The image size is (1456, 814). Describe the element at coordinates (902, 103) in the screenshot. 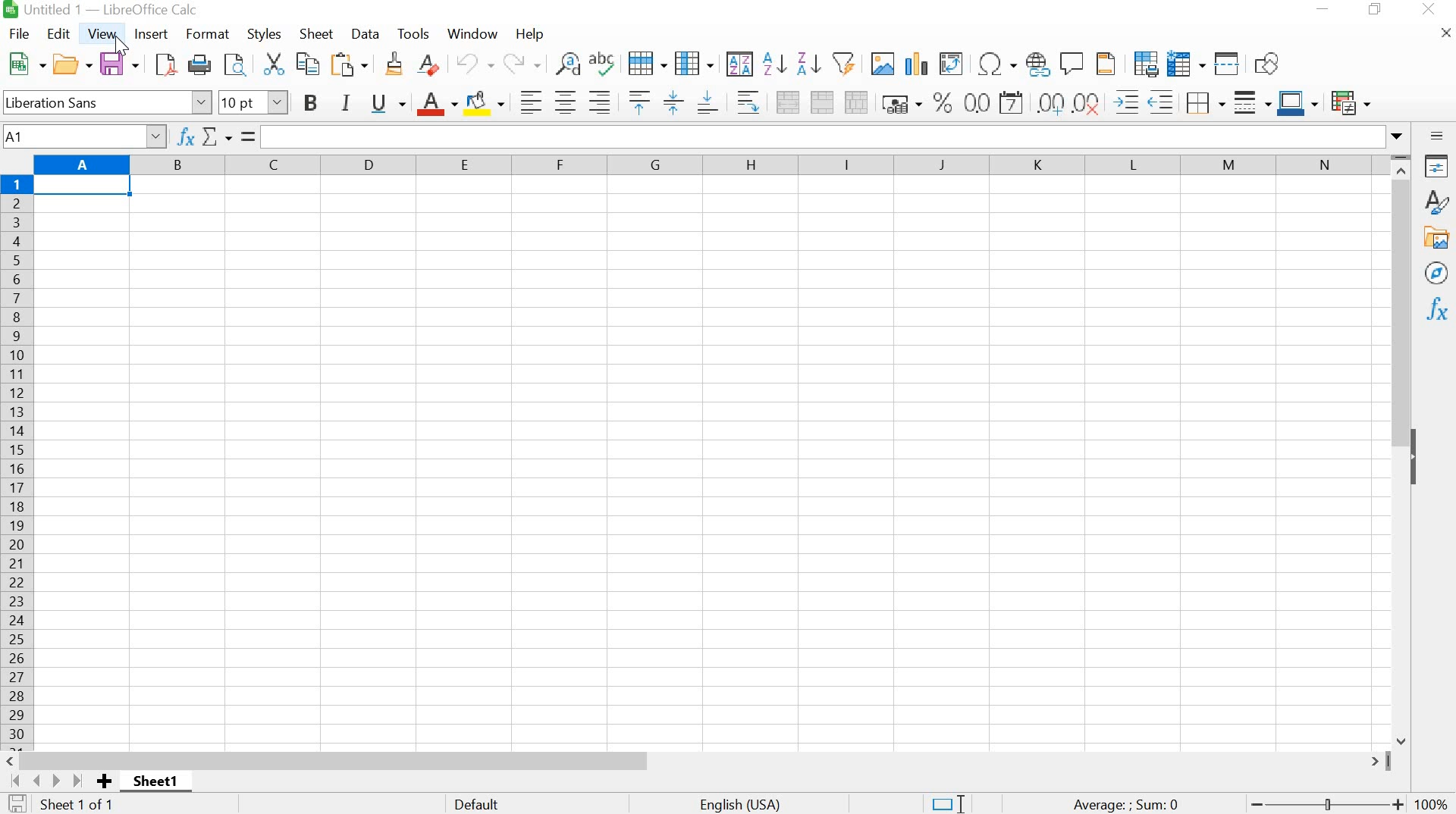

I see `FORMAT AS CURRENCY` at that location.